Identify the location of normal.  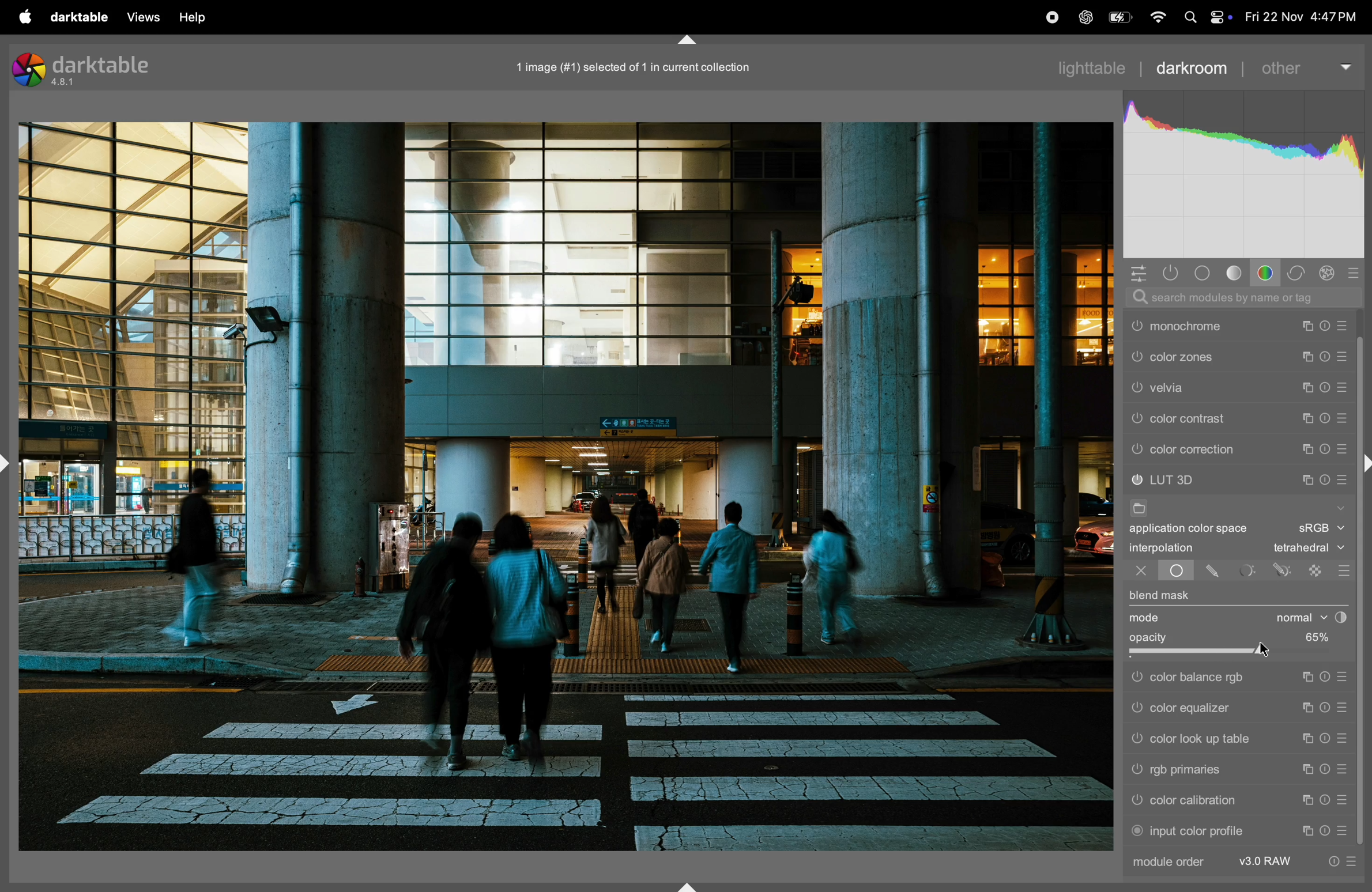
(1309, 619).